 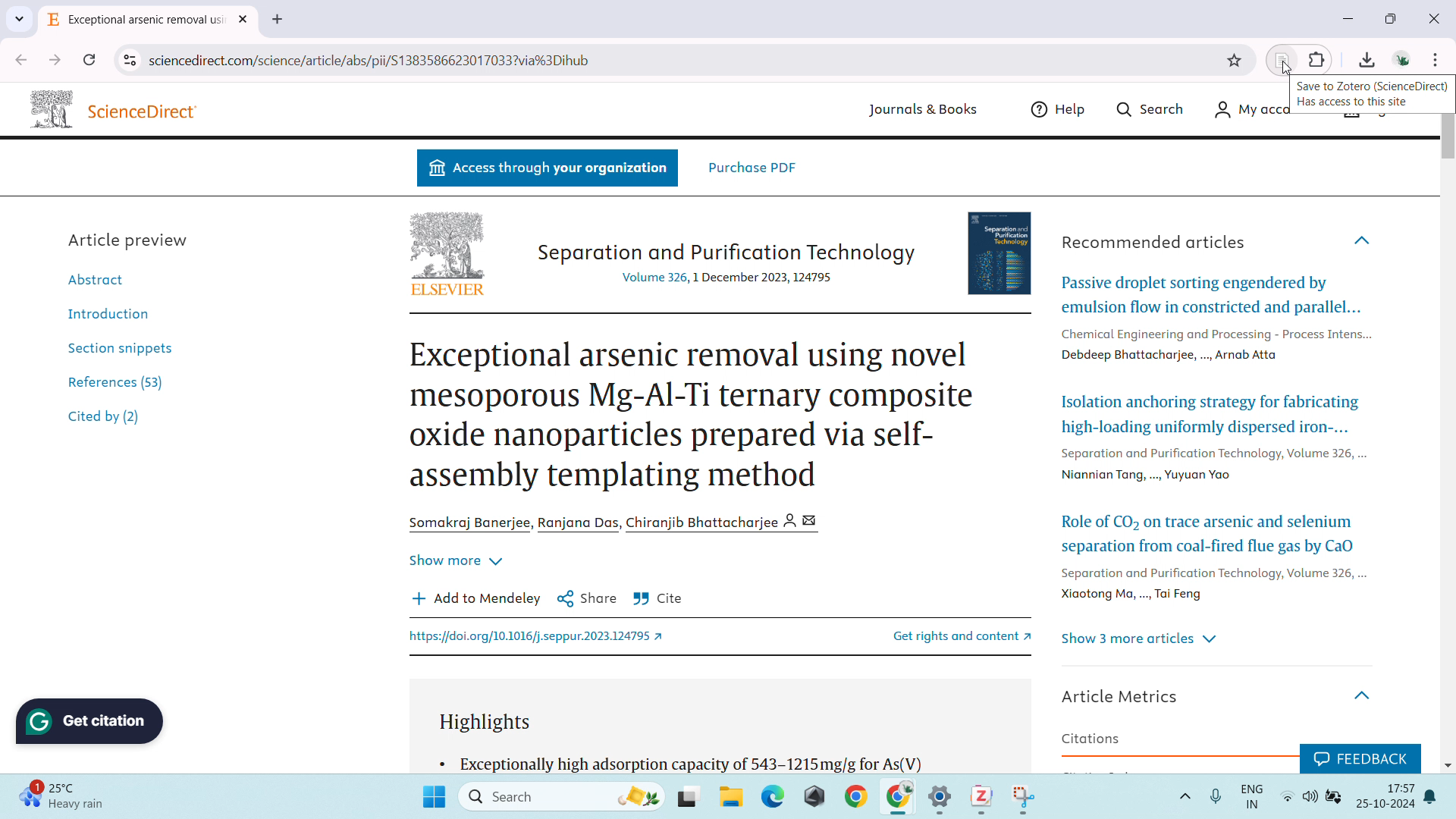 What do you see at coordinates (1282, 59) in the screenshot?
I see `zotero web importer` at bounding box center [1282, 59].